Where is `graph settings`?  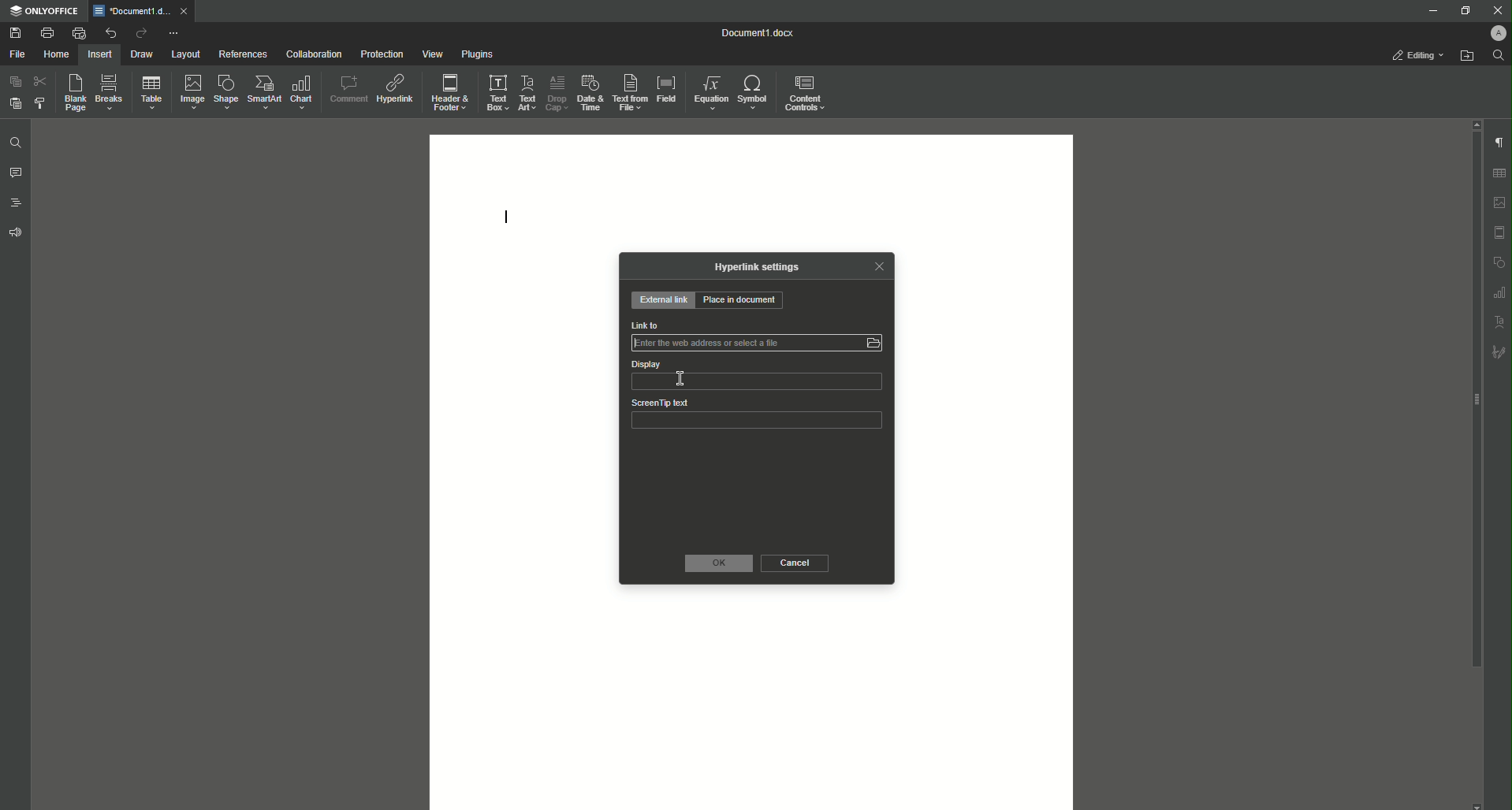
graph settings is located at coordinates (1501, 292).